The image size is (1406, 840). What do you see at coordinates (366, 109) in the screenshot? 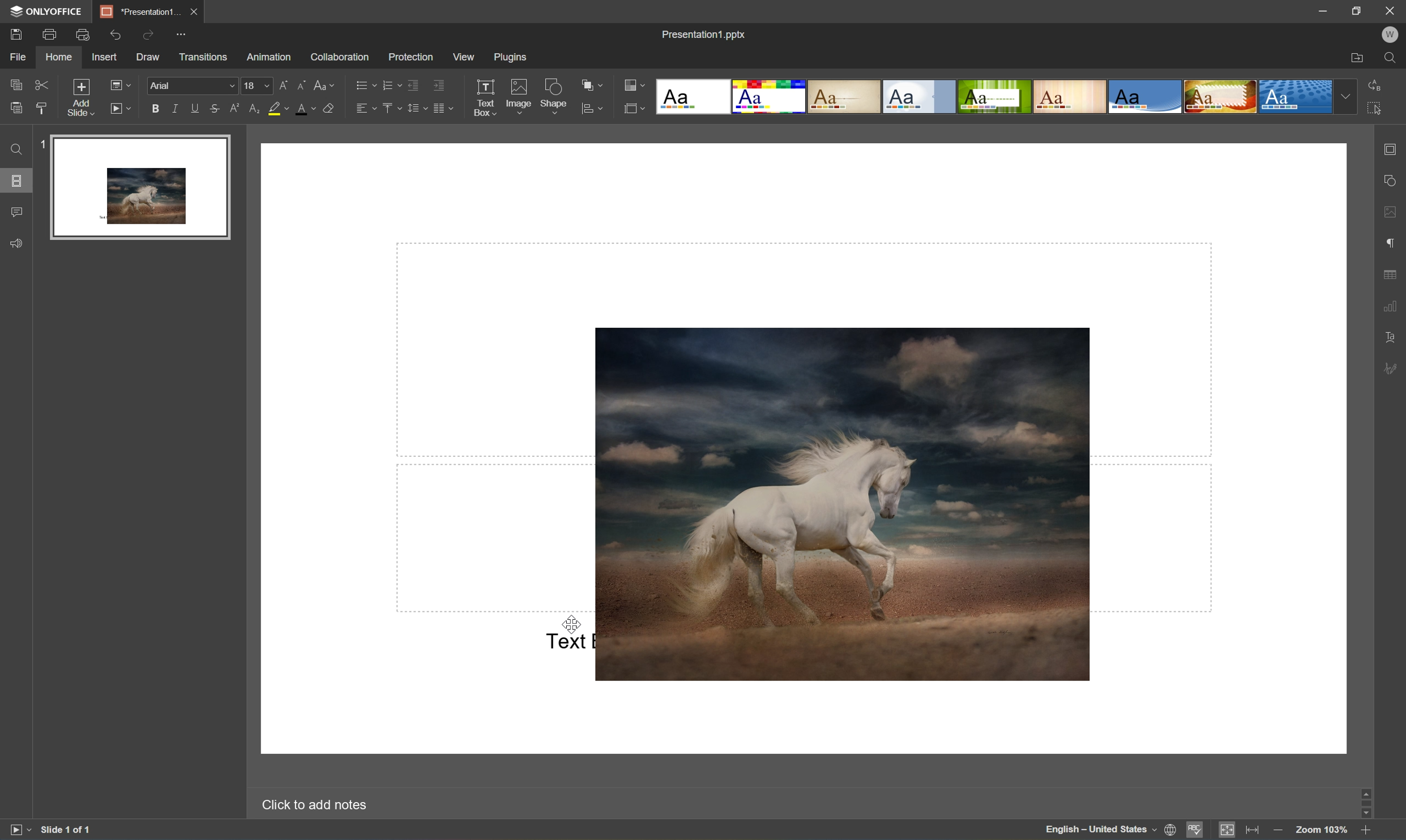
I see `Horizontal align` at bounding box center [366, 109].